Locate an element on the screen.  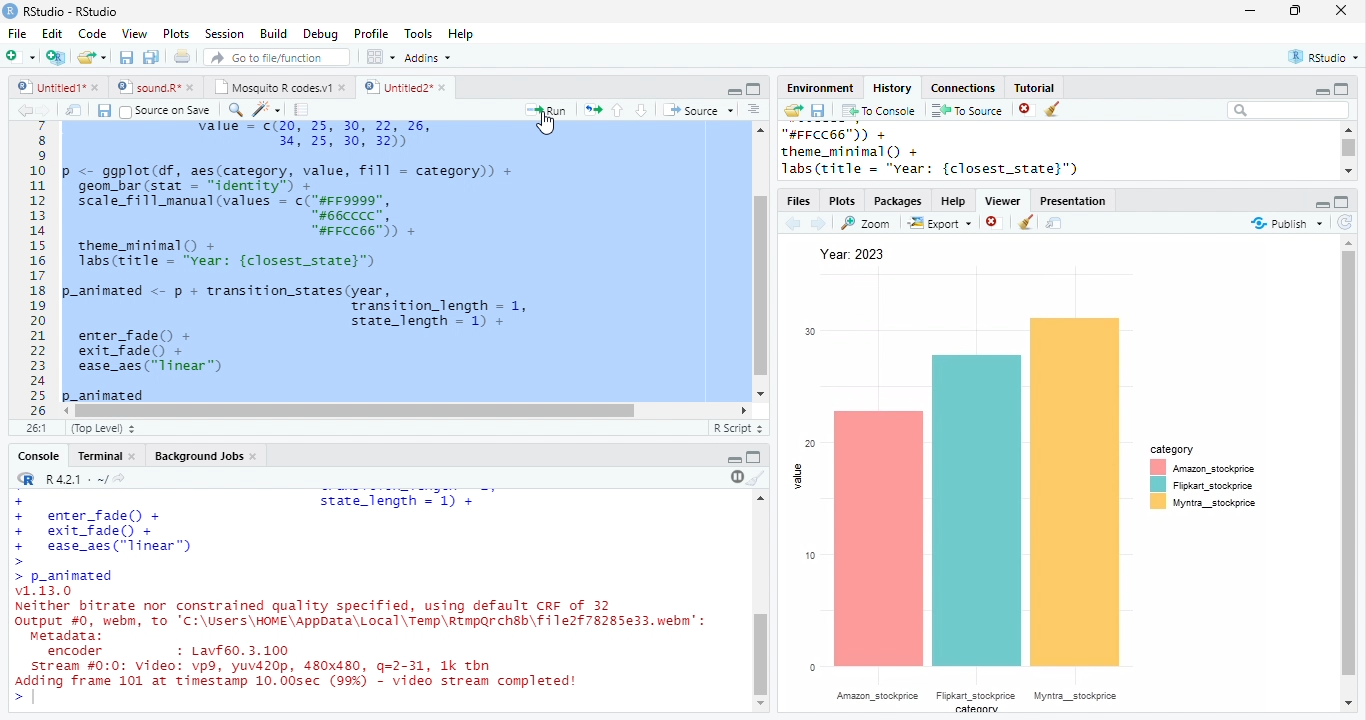
value meter is located at coordinates (814, 490).